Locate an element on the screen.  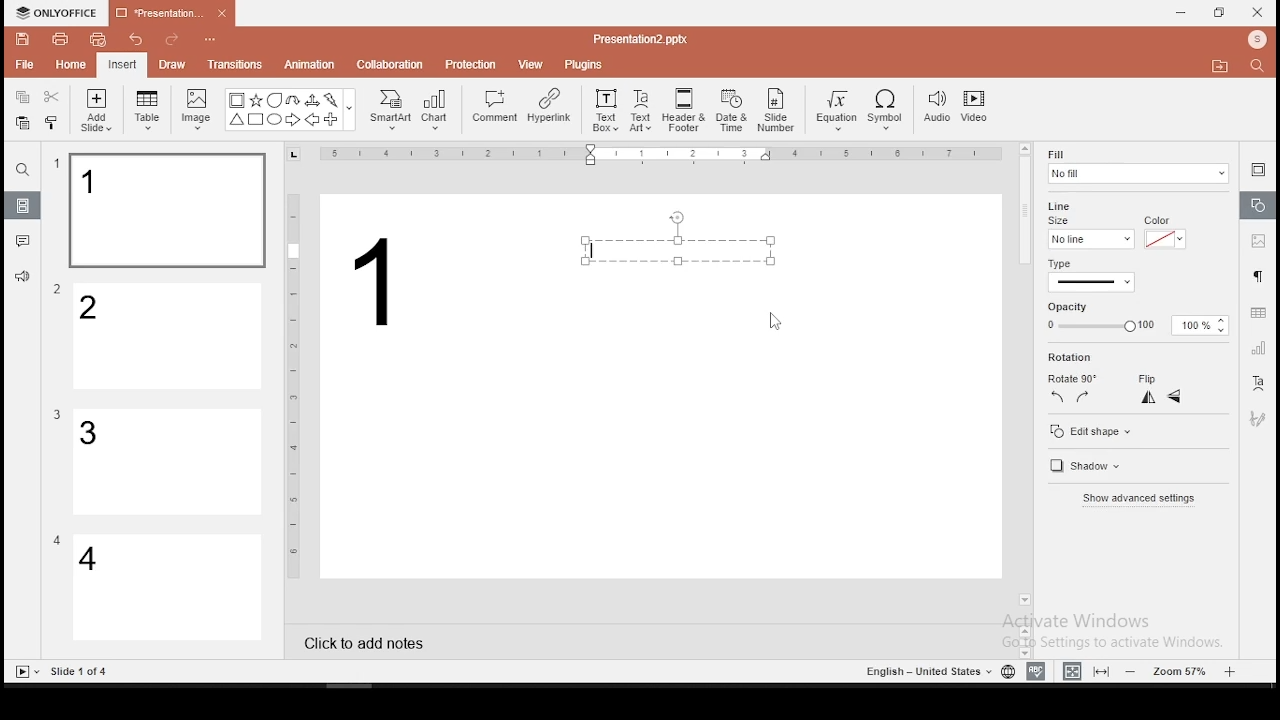
comment is located at coordinates (495, 107).